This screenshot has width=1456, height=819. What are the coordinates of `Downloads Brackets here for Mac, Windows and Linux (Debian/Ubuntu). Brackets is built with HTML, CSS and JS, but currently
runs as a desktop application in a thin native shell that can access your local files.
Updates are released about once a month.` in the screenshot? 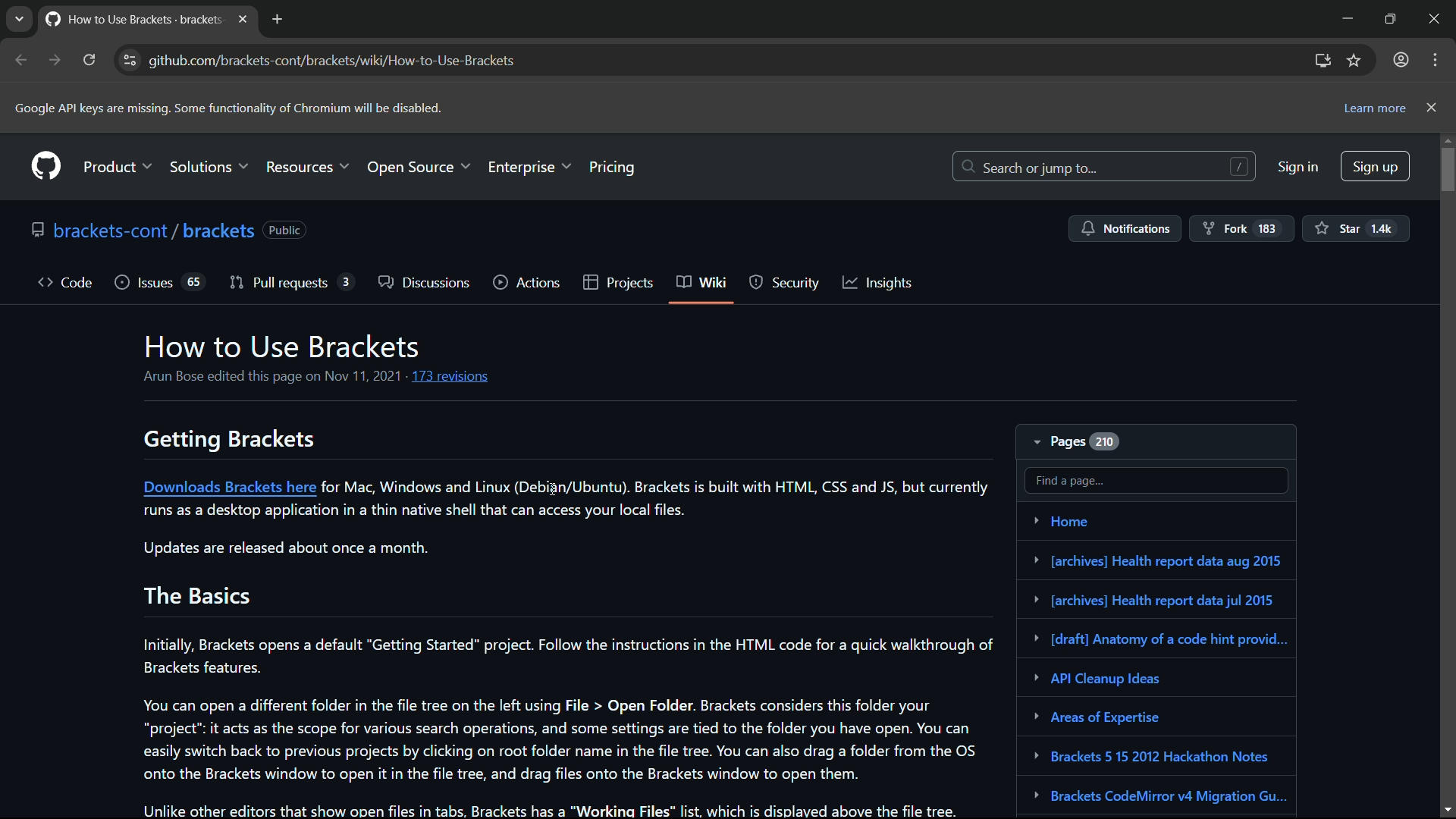 It's located at (569, 517).